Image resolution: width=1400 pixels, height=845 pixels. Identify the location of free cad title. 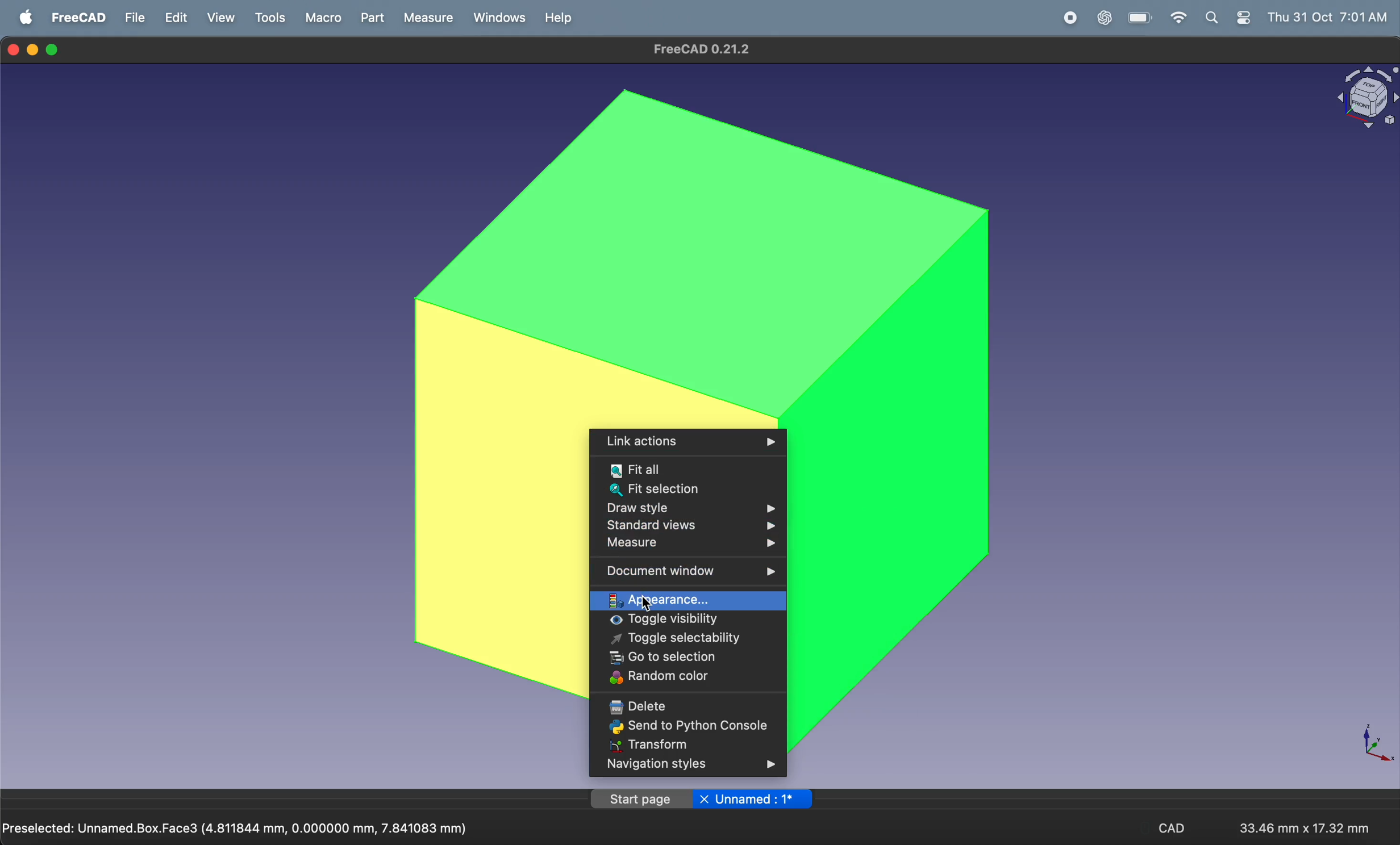
(706, 49).